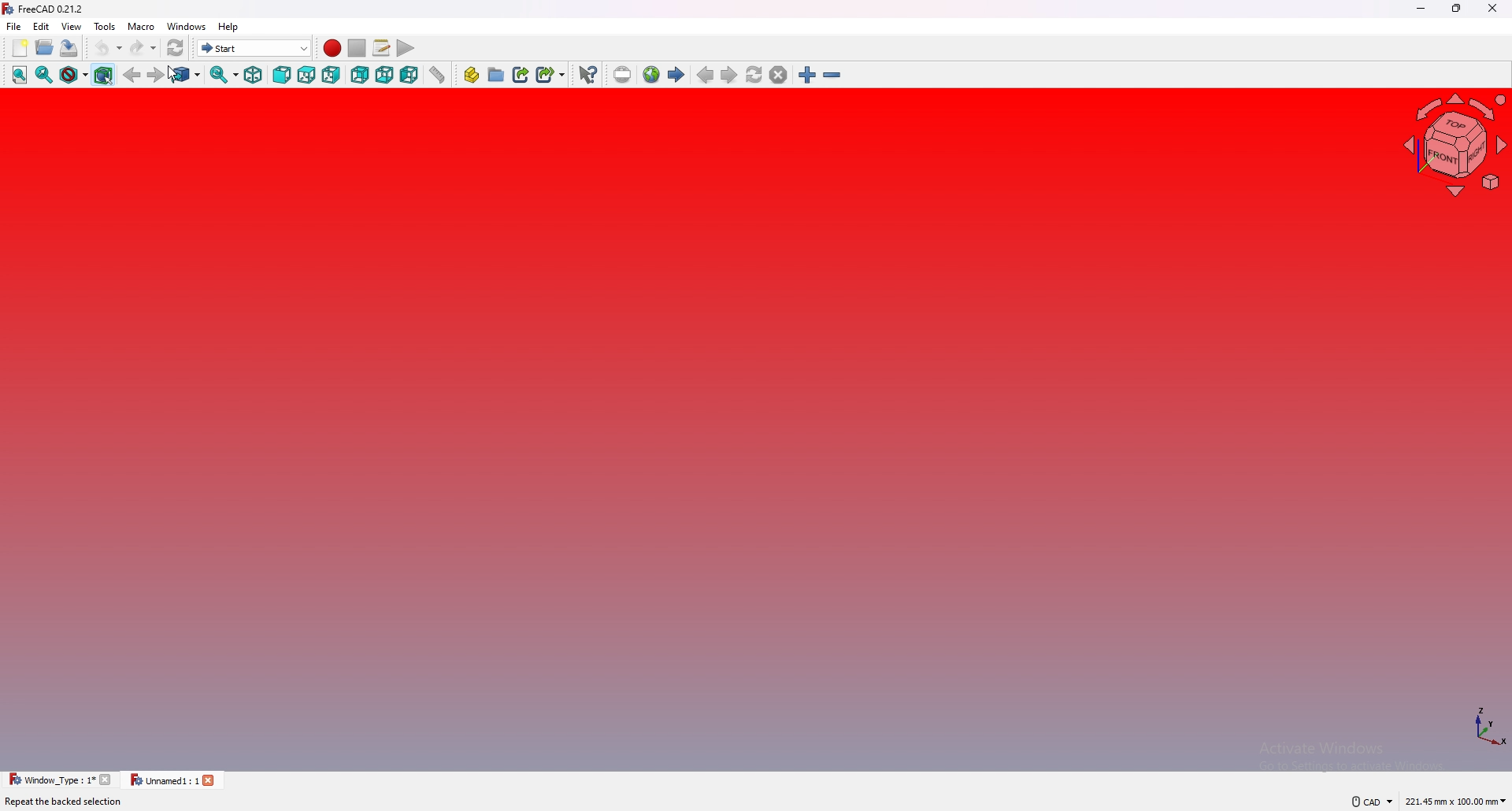  What do you see at coordinates (68, 801) in the screenshot?
I see `Repeat the backed selection` at bounding box center [68, 801].